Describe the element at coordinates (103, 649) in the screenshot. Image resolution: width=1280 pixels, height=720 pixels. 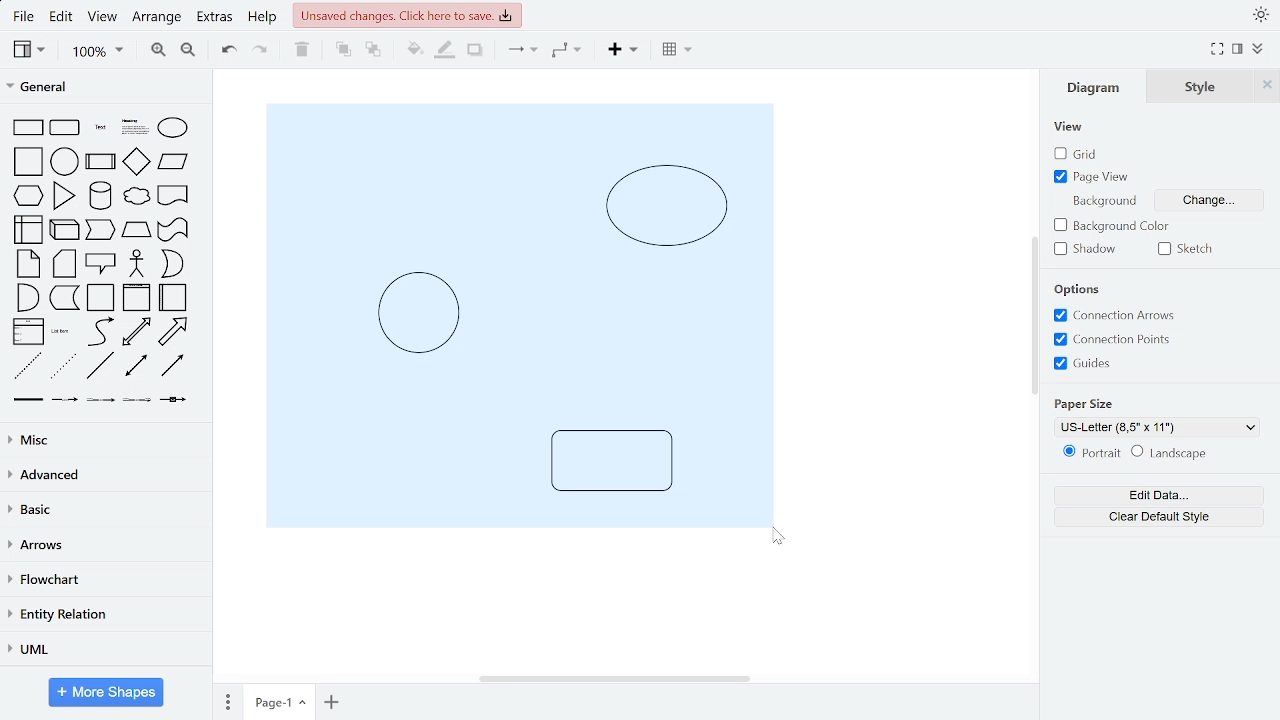
I see `UML` at that location.